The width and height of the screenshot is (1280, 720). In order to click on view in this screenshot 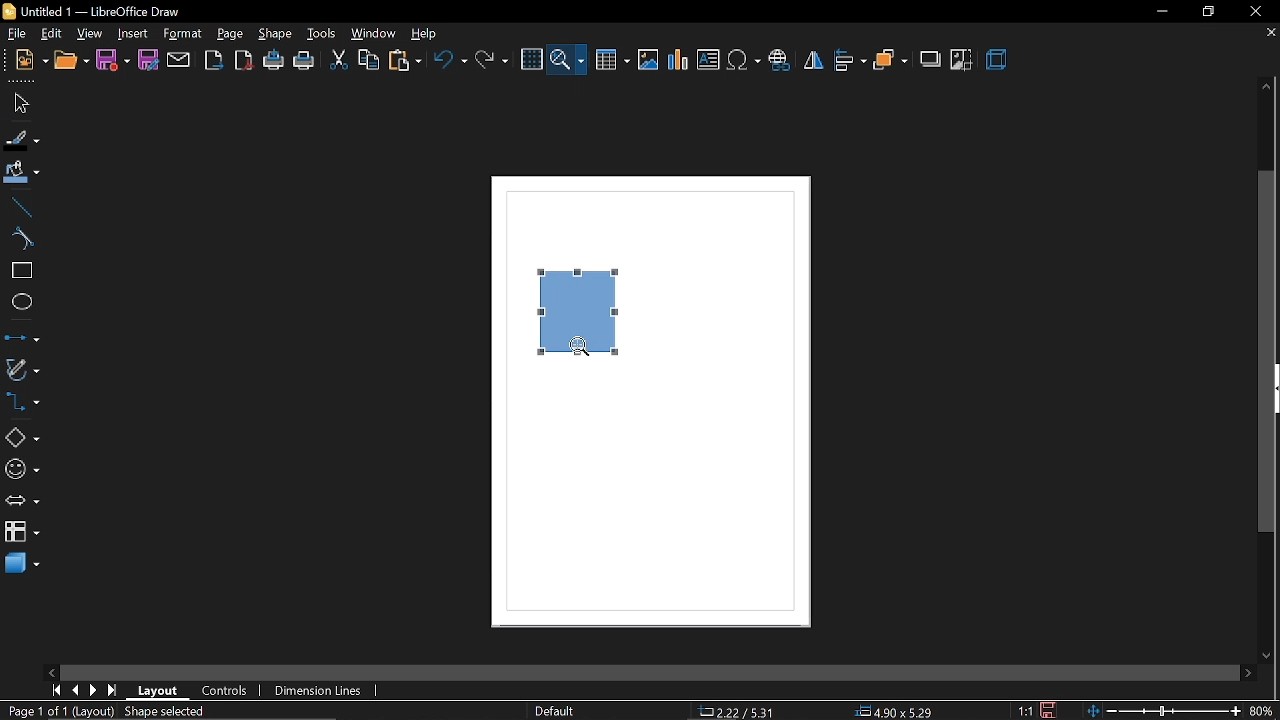, I will do `click(90, 33)`.